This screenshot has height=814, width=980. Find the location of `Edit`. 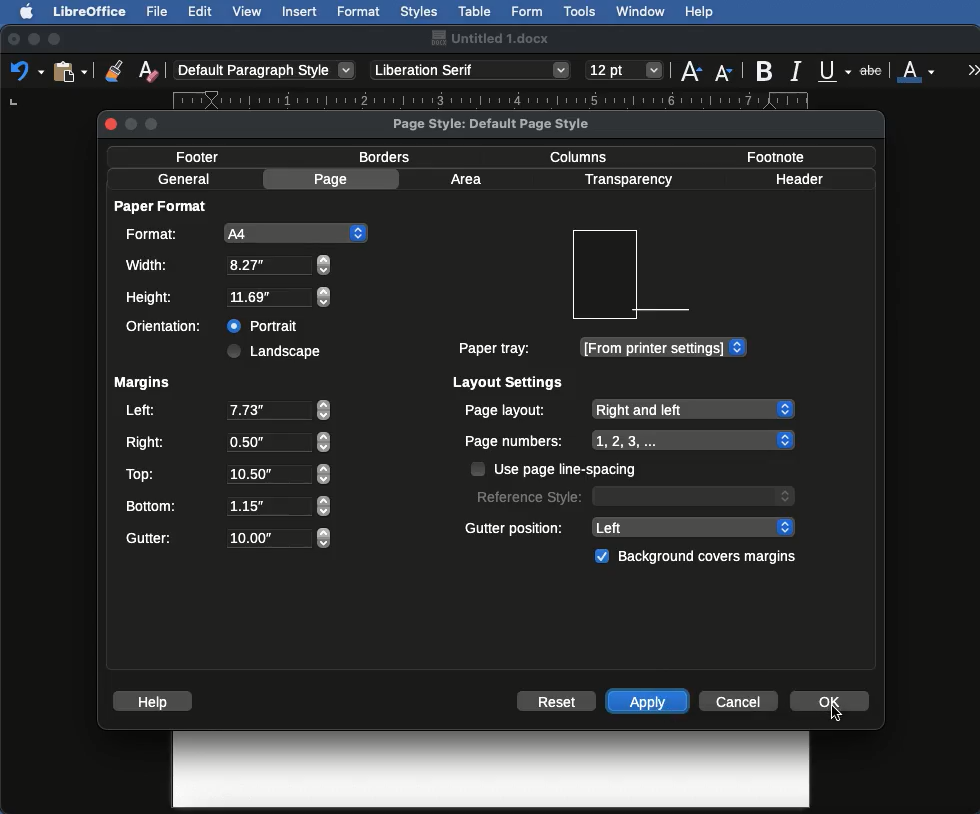

Edit is located at coordinates (200, 11).